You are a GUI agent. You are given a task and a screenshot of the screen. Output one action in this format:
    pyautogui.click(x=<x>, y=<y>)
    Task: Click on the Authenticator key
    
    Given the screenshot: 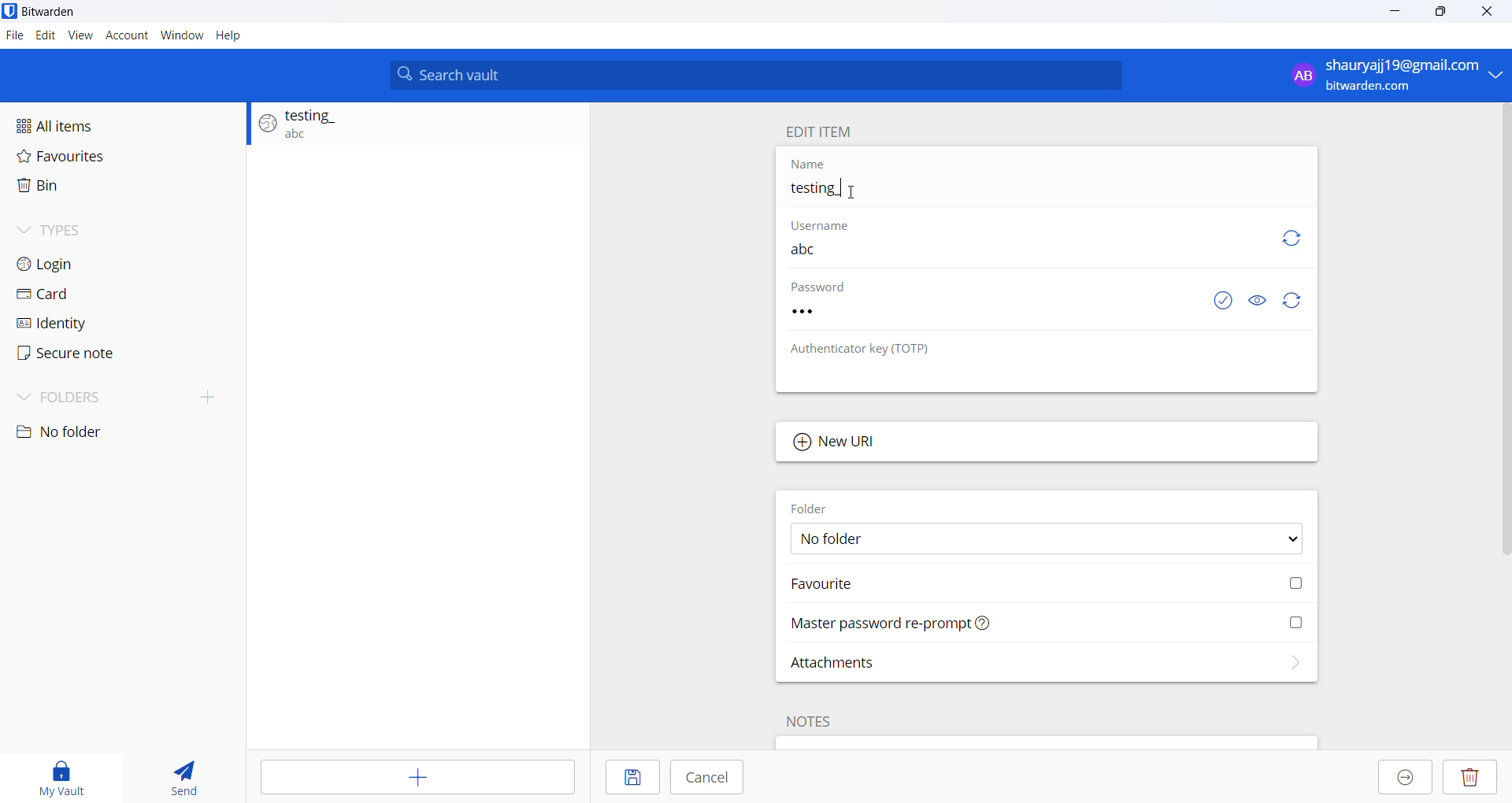 What is the action you would take?
    pyautogui.click(x=858, y=350)
    